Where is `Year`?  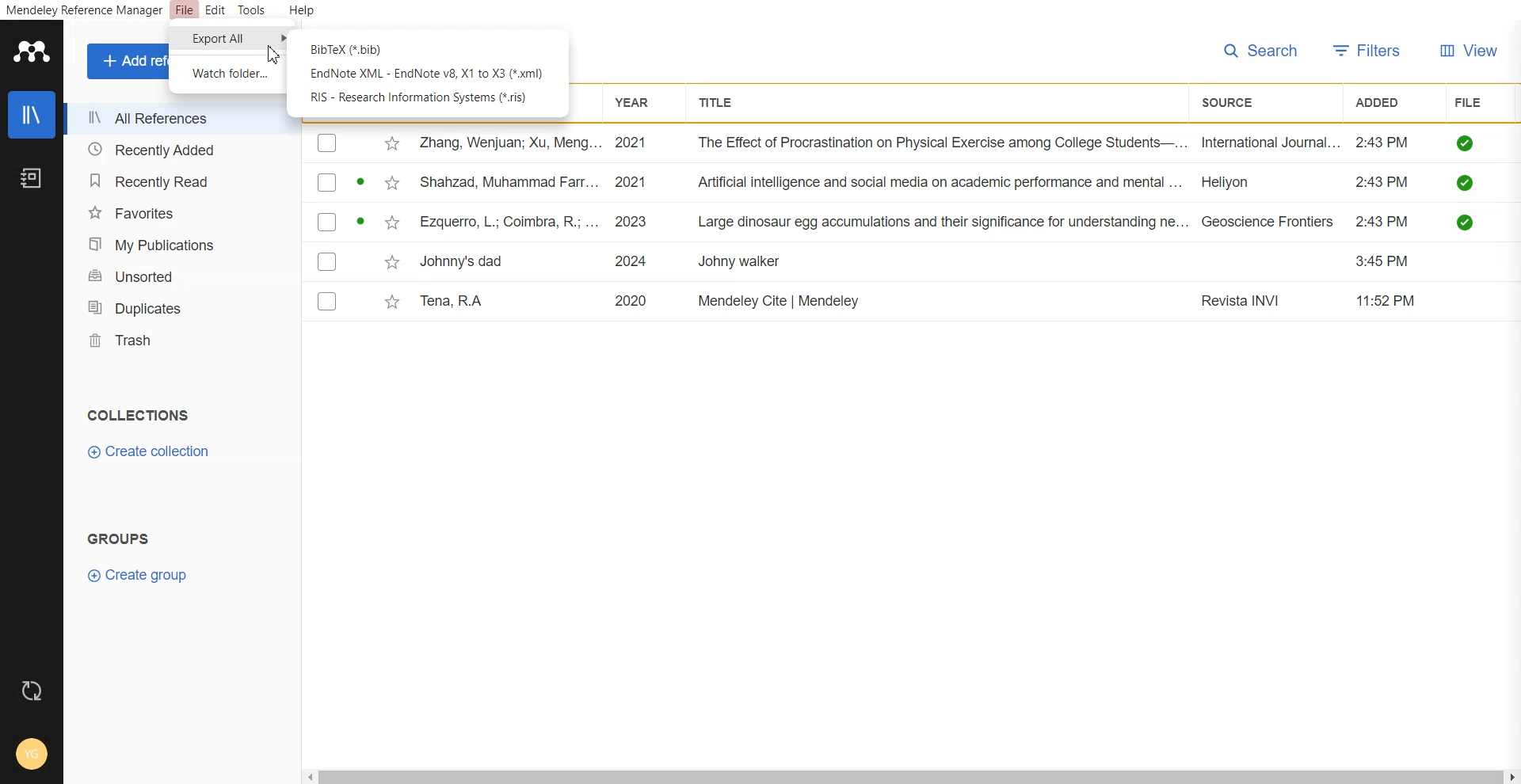
Year is located at coordinates (638, 103).